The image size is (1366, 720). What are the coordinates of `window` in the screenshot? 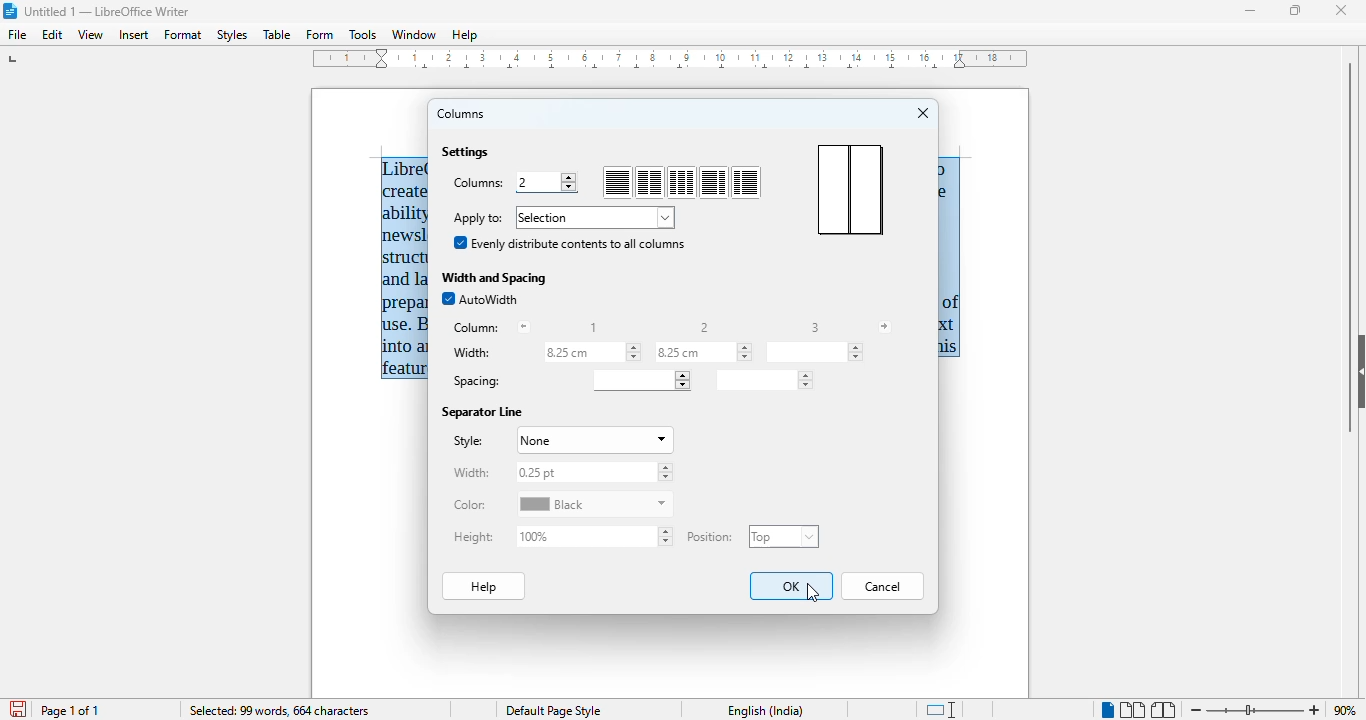 It's located at (414, 35).